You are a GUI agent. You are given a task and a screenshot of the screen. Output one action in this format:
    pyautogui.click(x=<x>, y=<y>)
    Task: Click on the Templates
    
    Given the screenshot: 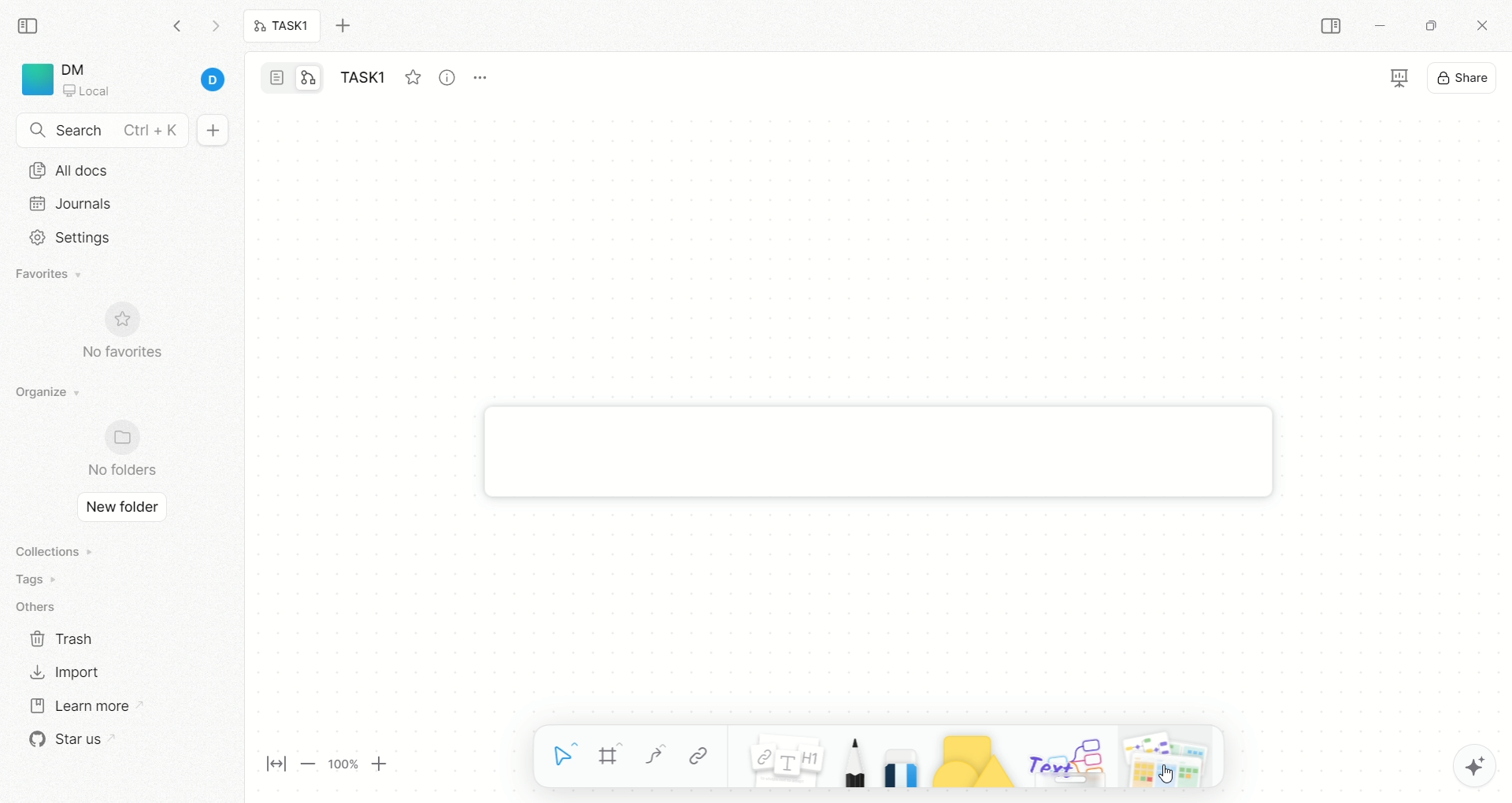 What is the action you would take?
    pyautogui.click(x=1168, y=756)
    